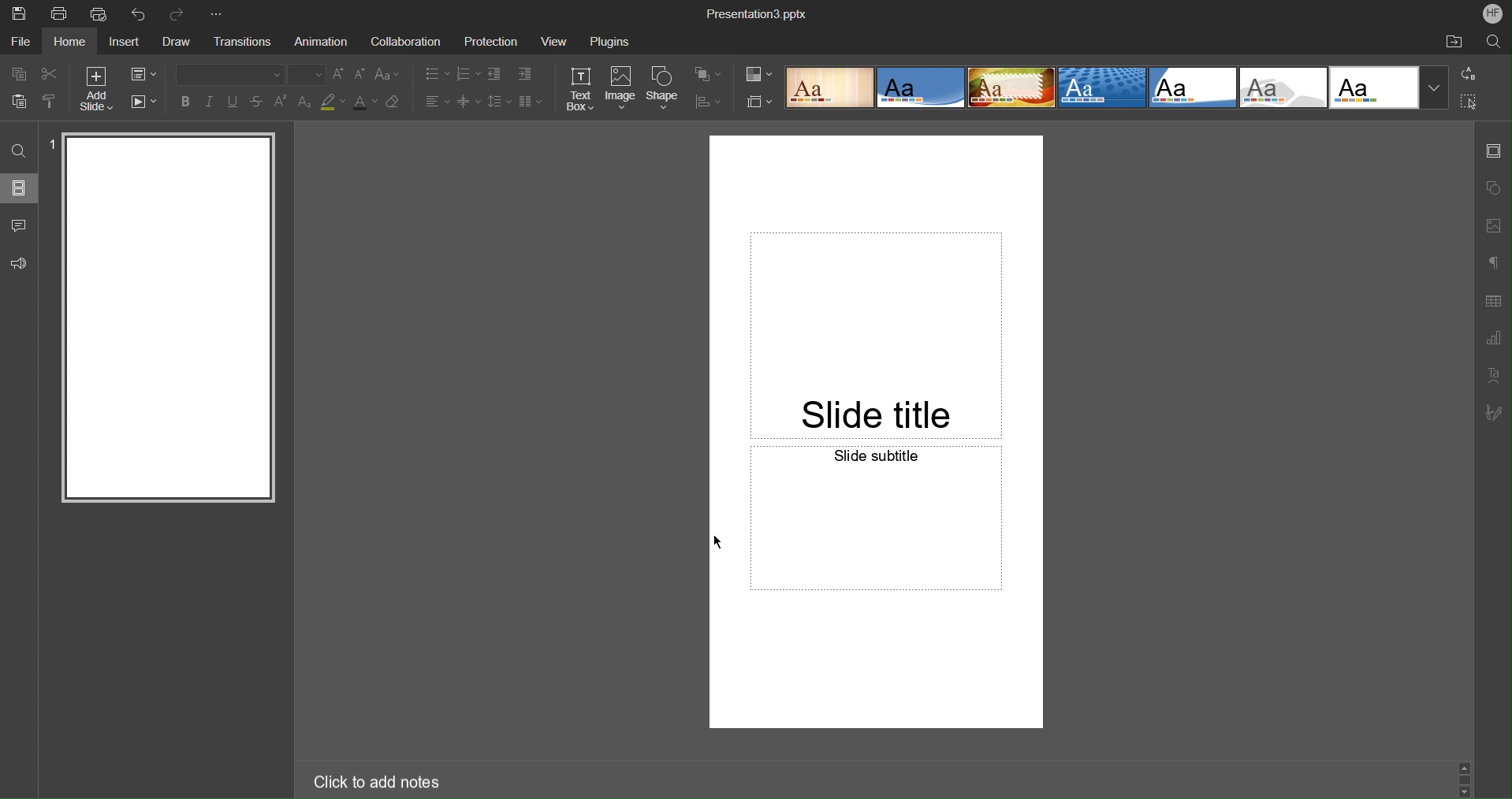 The height and width of the screenshot is (799, 1512). I want to click on Replace, so click(1469, 73).